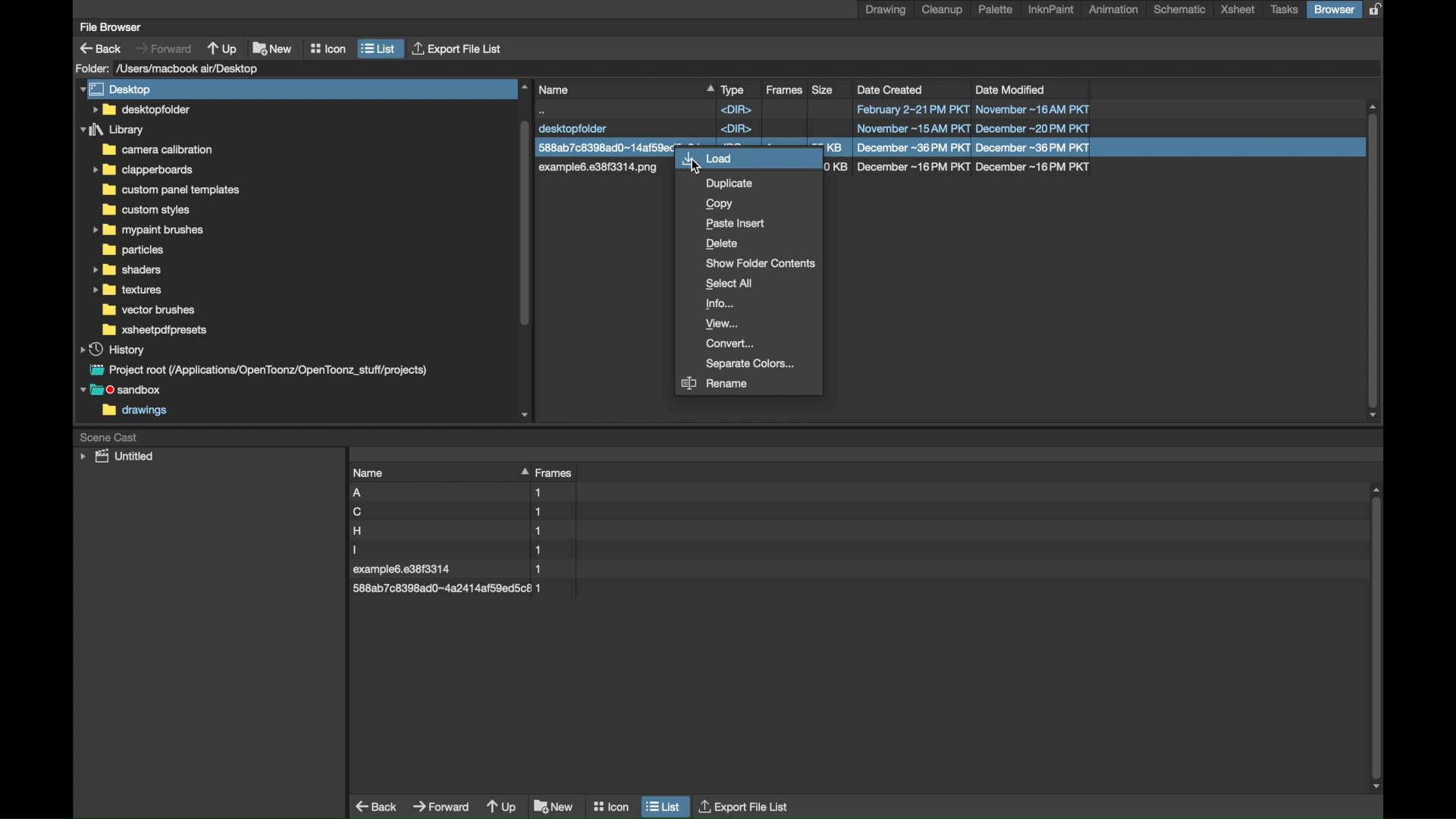 This screenshot has width=1456, height=819. Describe the element at coordinates (1051, 10) in the screenshot. I see `inknpaint ` at that location.